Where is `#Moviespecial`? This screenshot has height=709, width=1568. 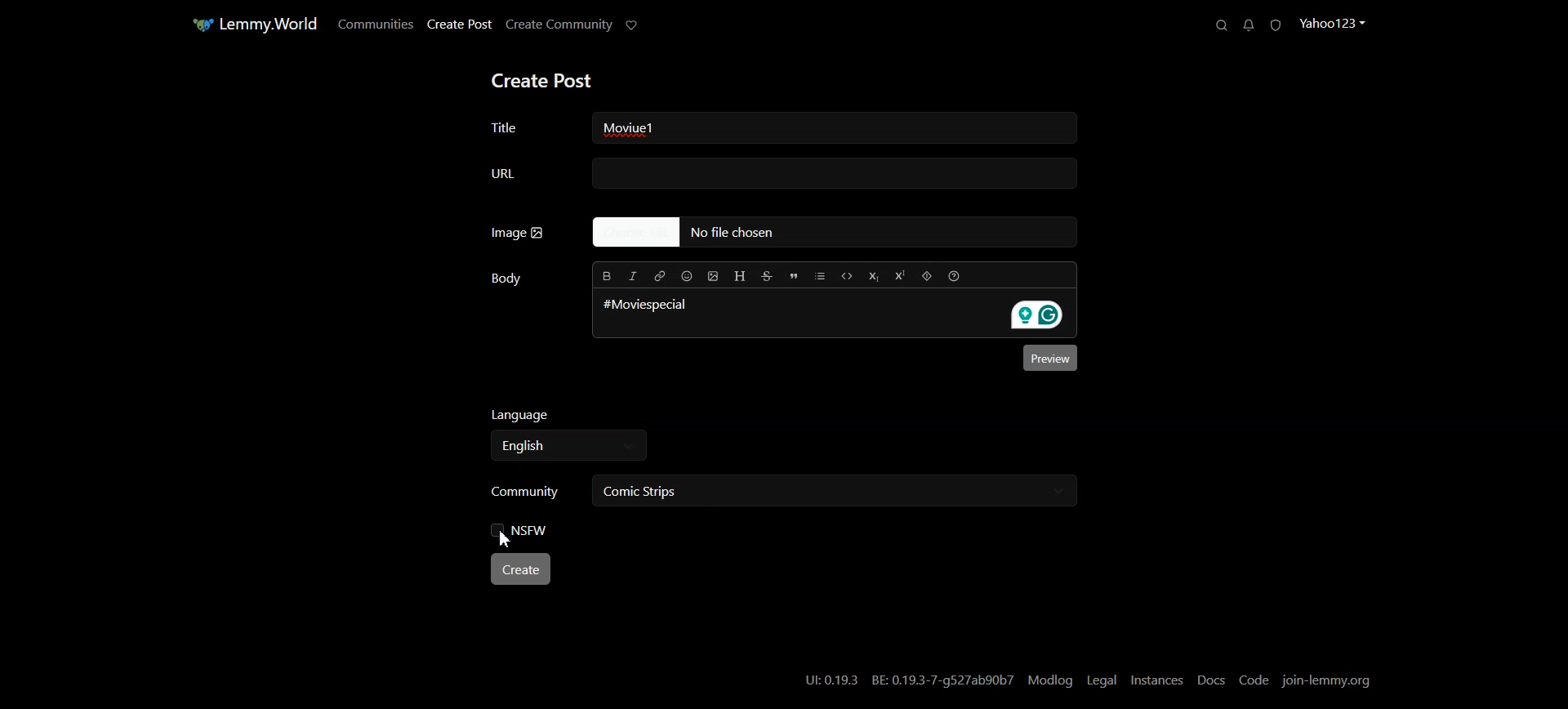
#Moviespecial is located at coordinates (644, 305).